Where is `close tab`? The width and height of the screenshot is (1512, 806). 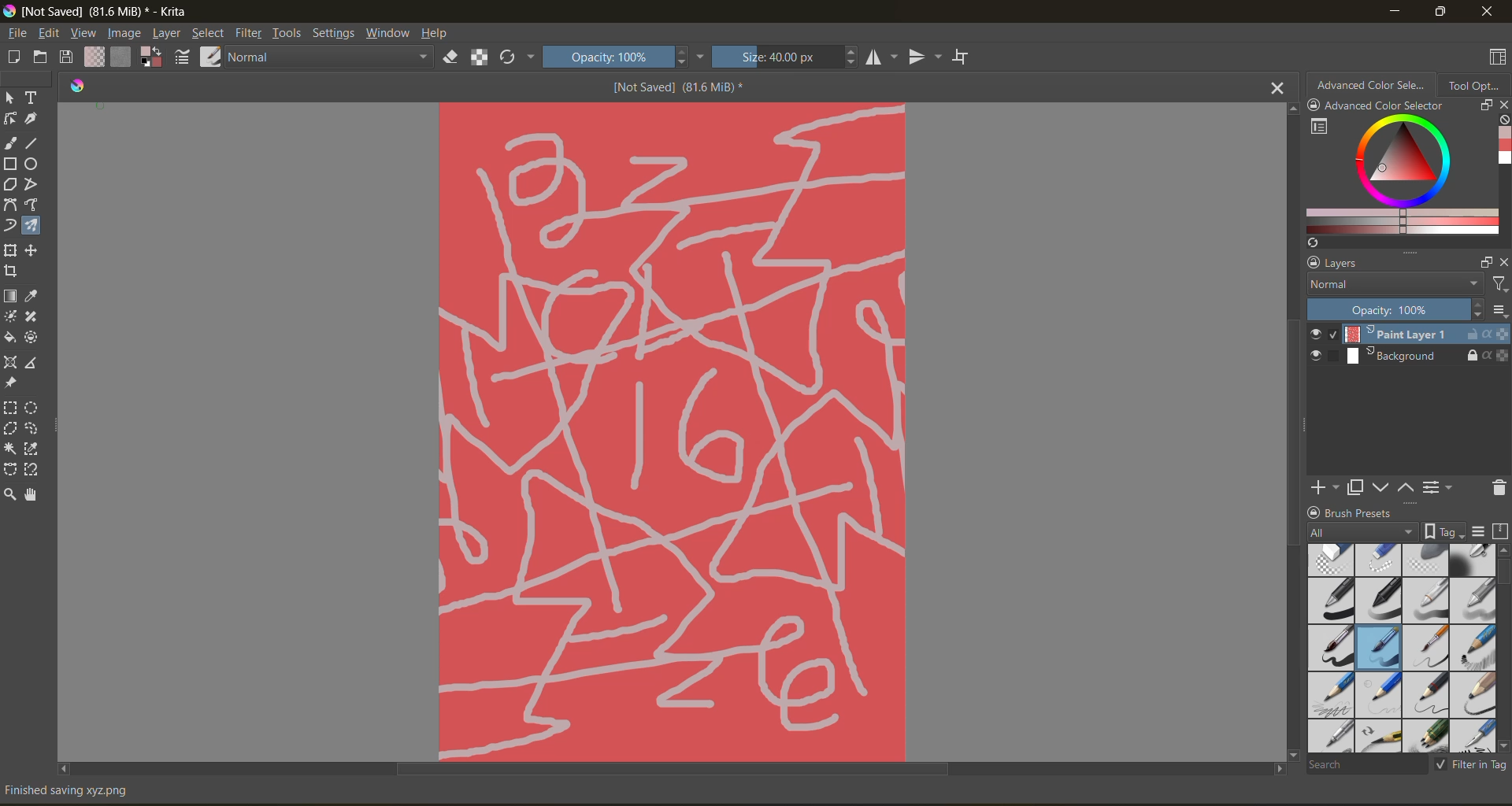
close tab is located at coordinates (1279, 87).